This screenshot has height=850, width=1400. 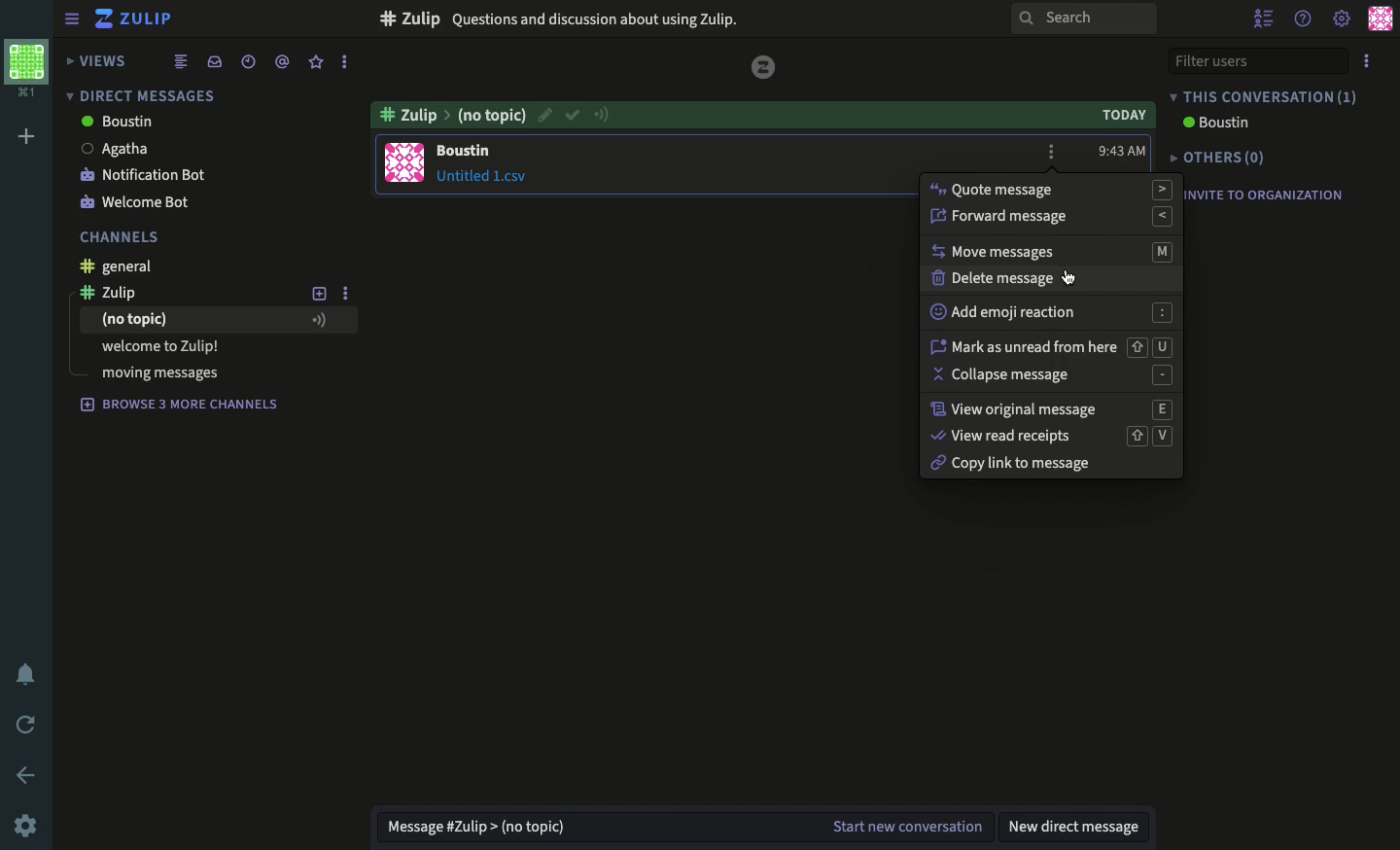 What do you see at coordinates (486, 164) in the screenshot?
I see `message ` at bounding box center [486, 164].